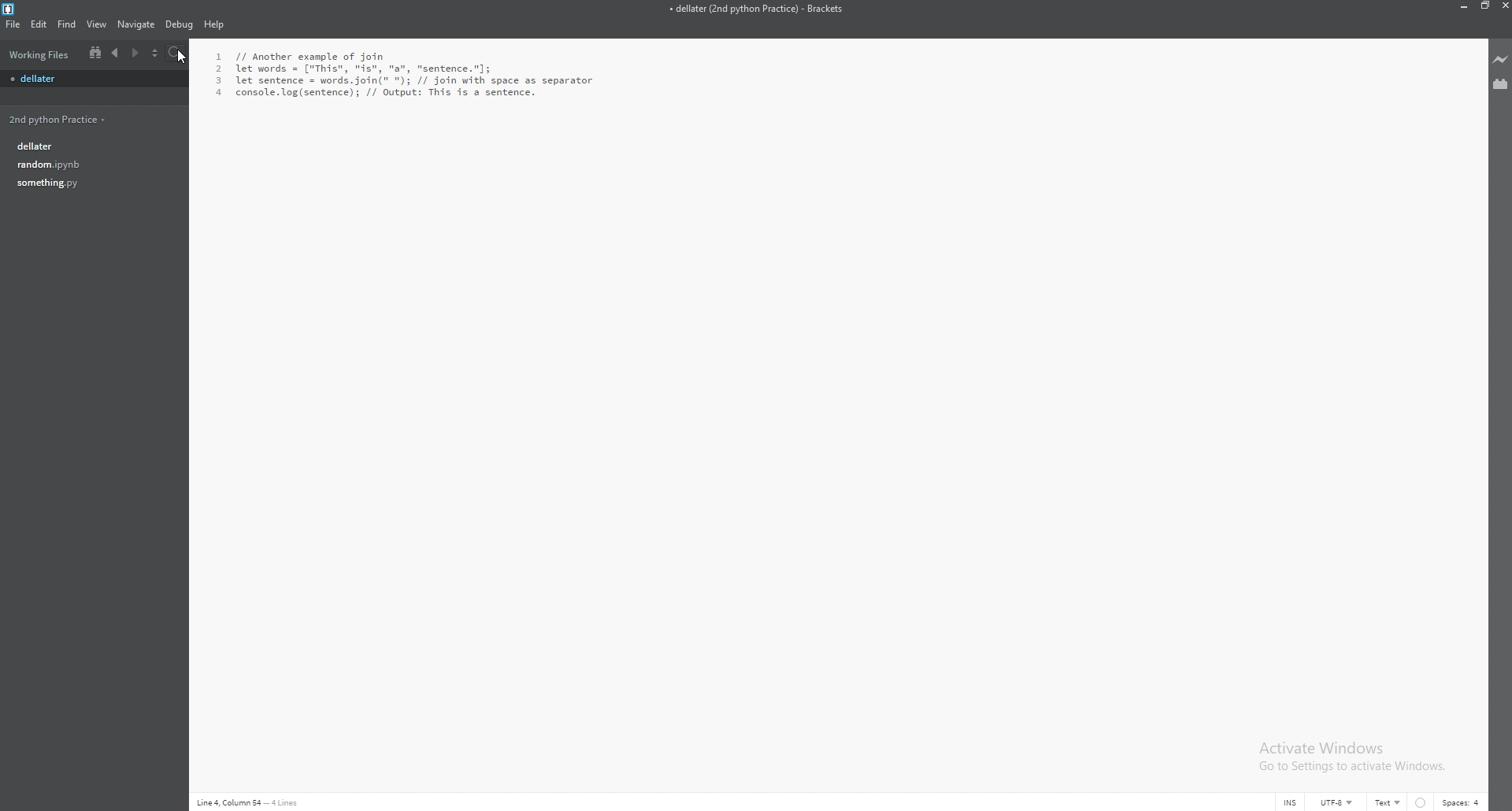 The width and height of the screenshot is (1512, 811). Describe the element at coordinates (1357, 754) in the screenshot. I see `Activate Windows
Go to Settings to activate Windows.` at that location.